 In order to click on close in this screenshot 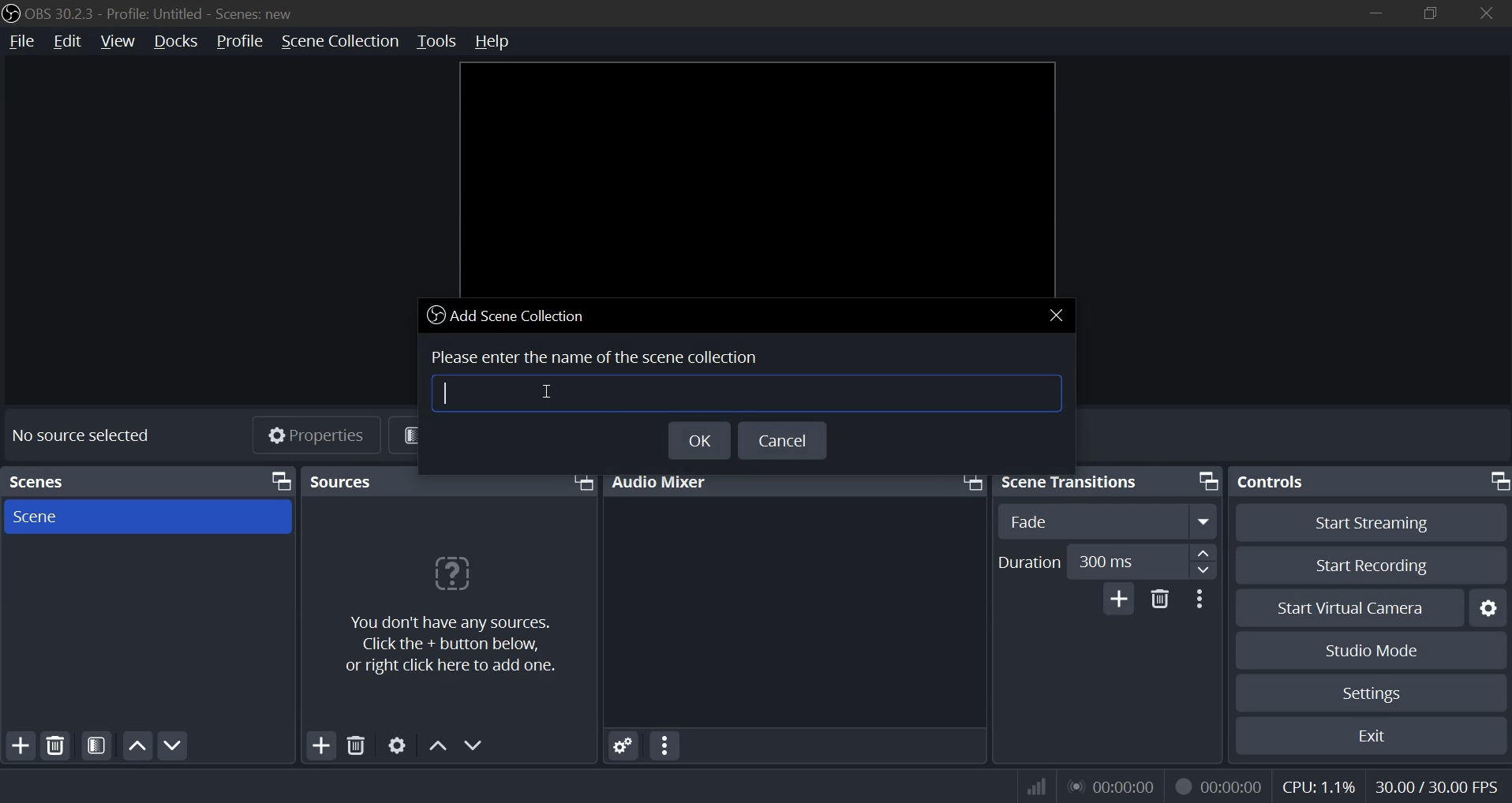, I will do `click(1484, 13)`.